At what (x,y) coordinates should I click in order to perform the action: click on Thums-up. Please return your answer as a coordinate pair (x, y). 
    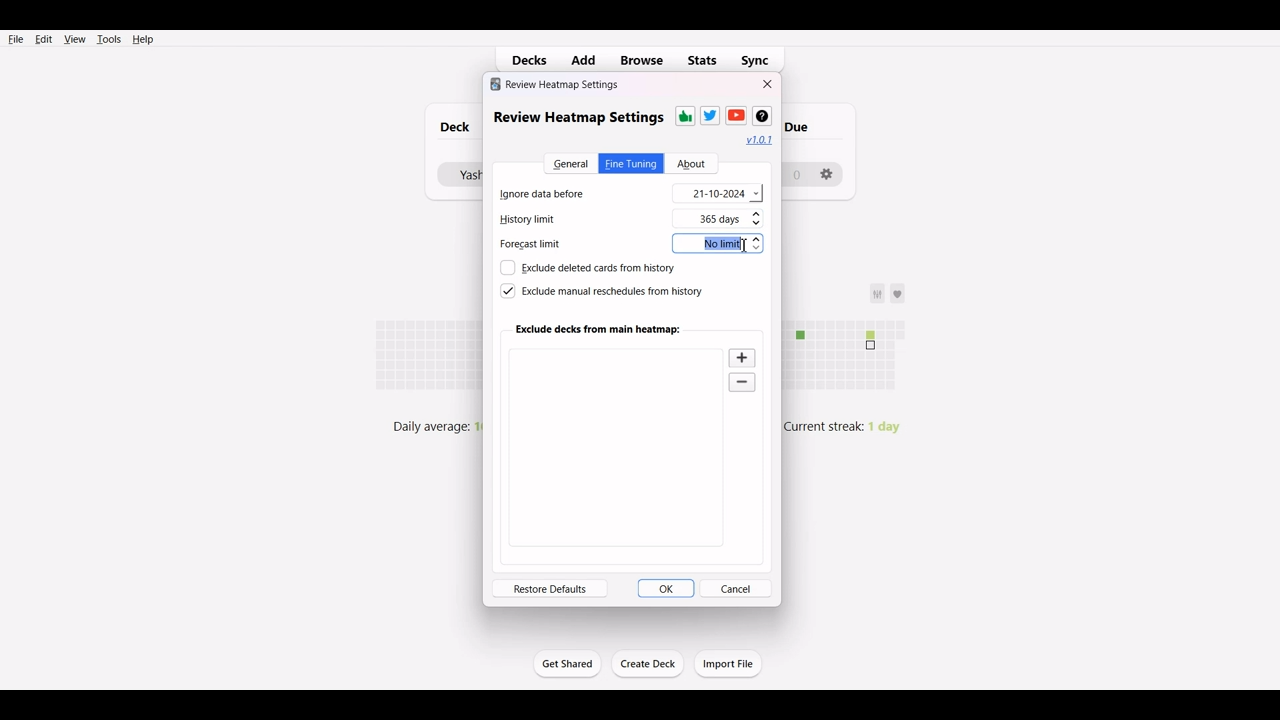
    Looking at the image, I should click on (684, 116).